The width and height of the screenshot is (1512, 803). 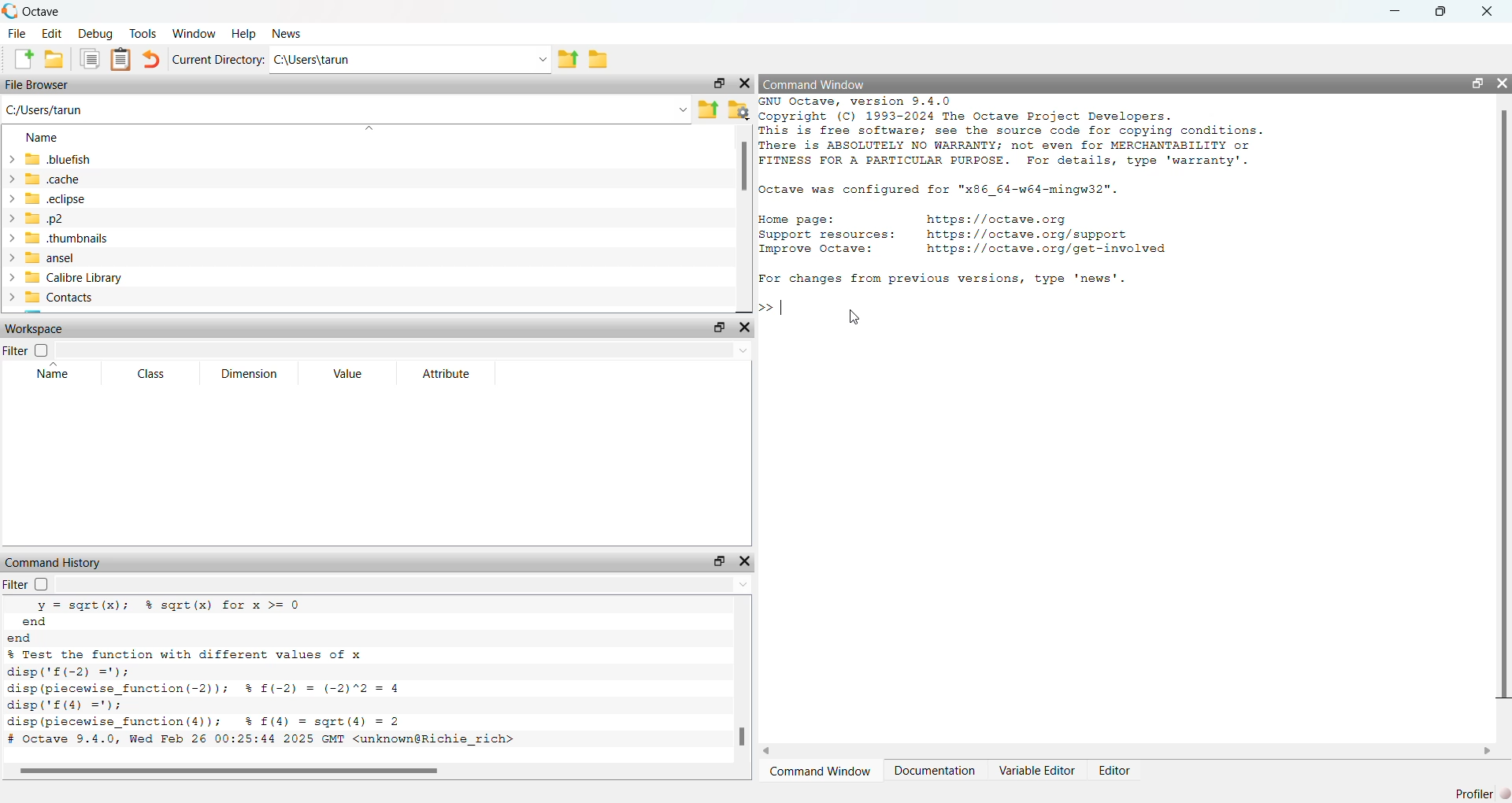 What do you see at coordinates (1501, 79) in the screenshot?
I see `Close` at bounding box center [1501, 79].